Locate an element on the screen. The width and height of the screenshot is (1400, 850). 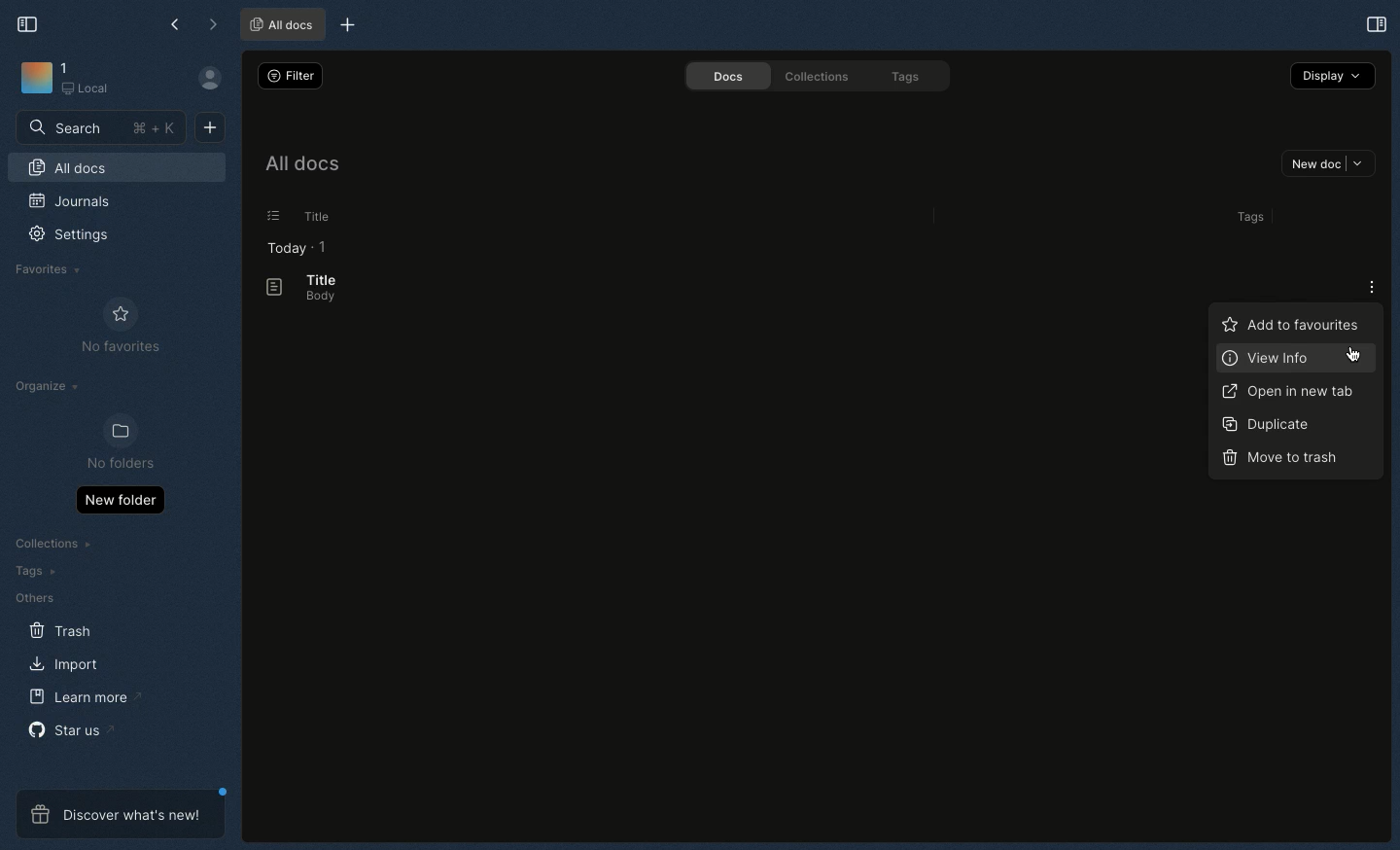
New doc is located at coordinates (1328, 165).